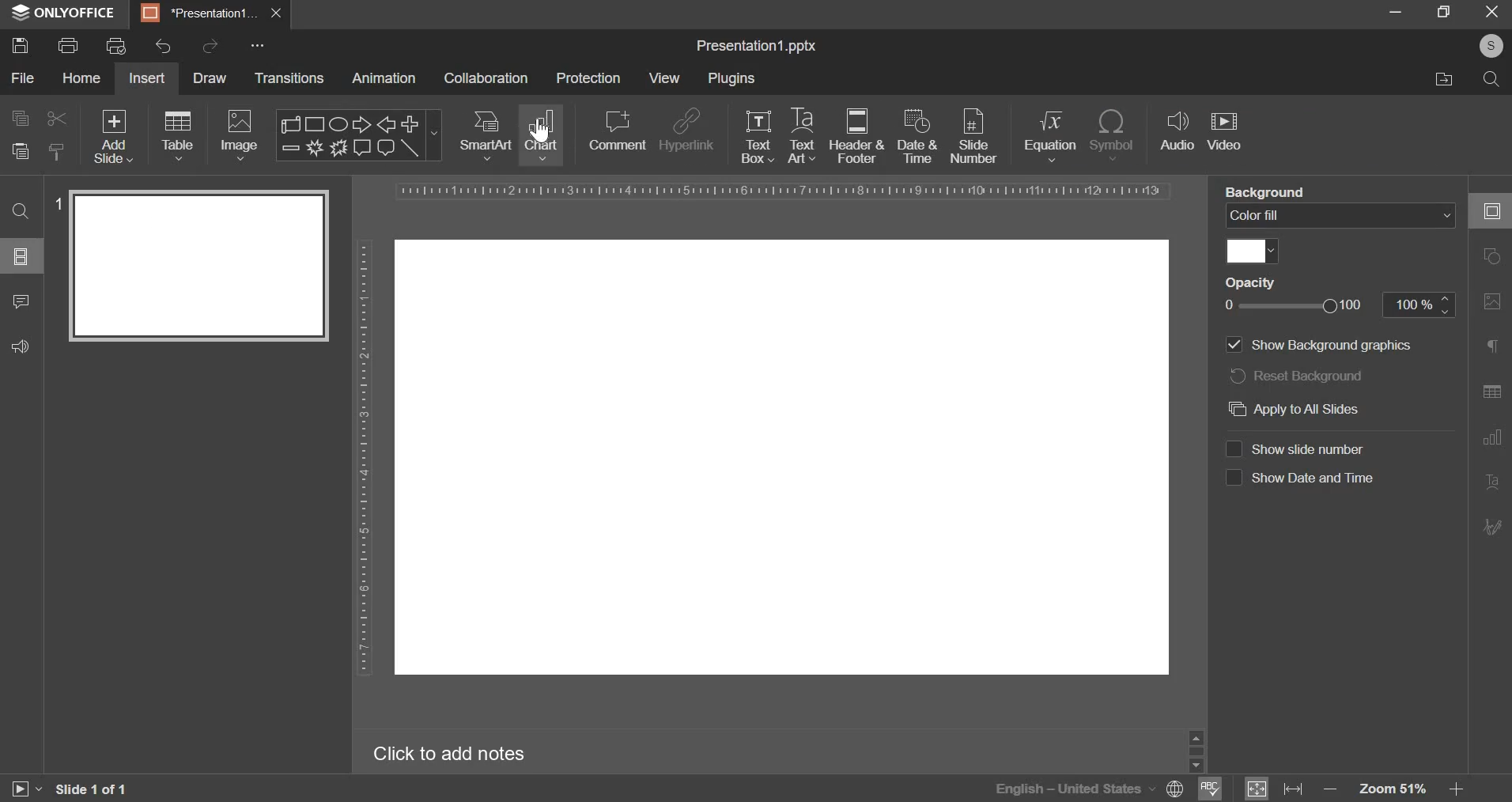 The width and height of the screenshot is (1512, 802). What do you see at coordinates (546, 134) in the screenshot?
I see `mouse pointer` at bounding box center [546, 134].